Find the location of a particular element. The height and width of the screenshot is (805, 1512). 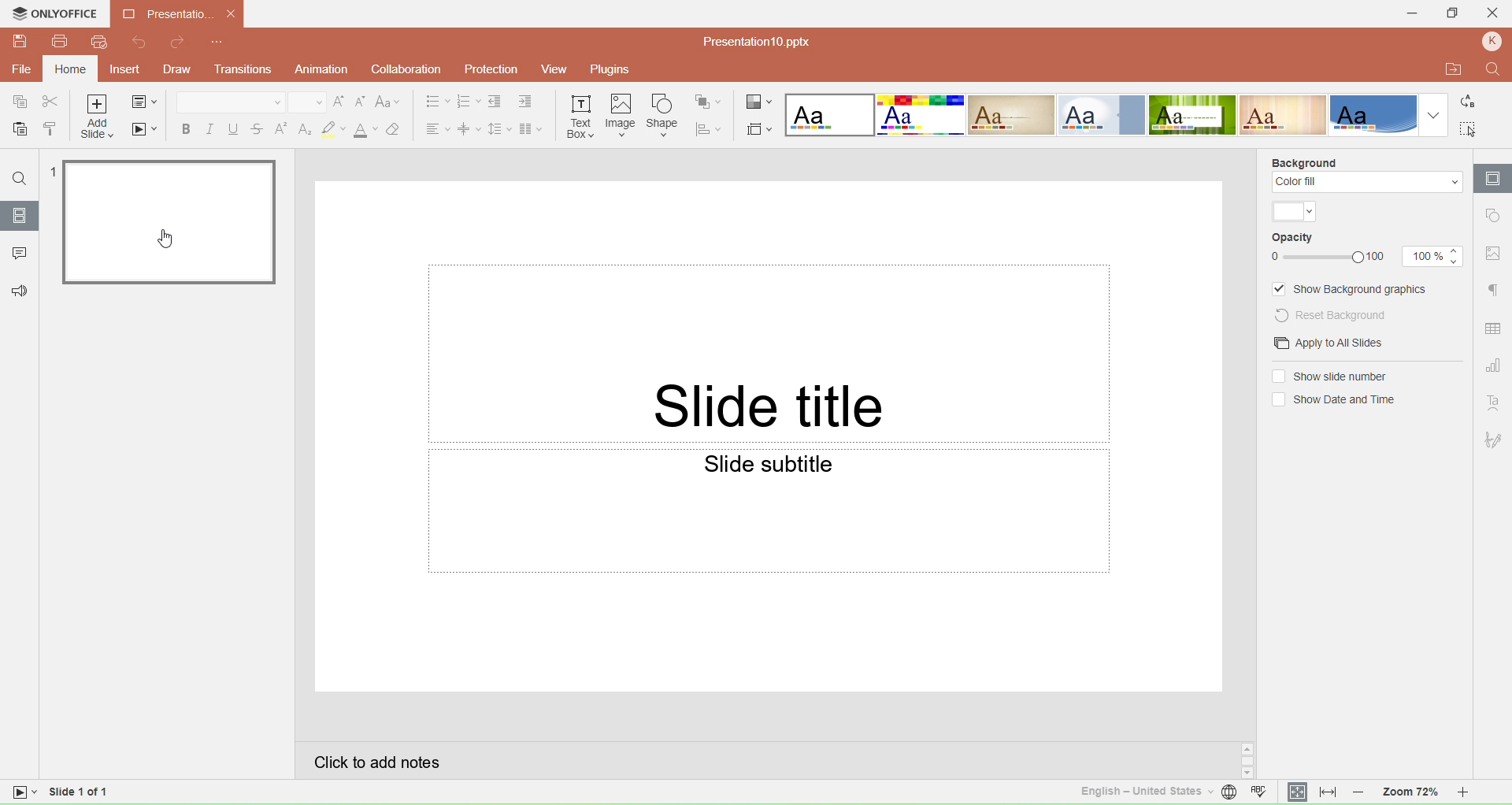

Transitions is located at coordinates (246, 70).